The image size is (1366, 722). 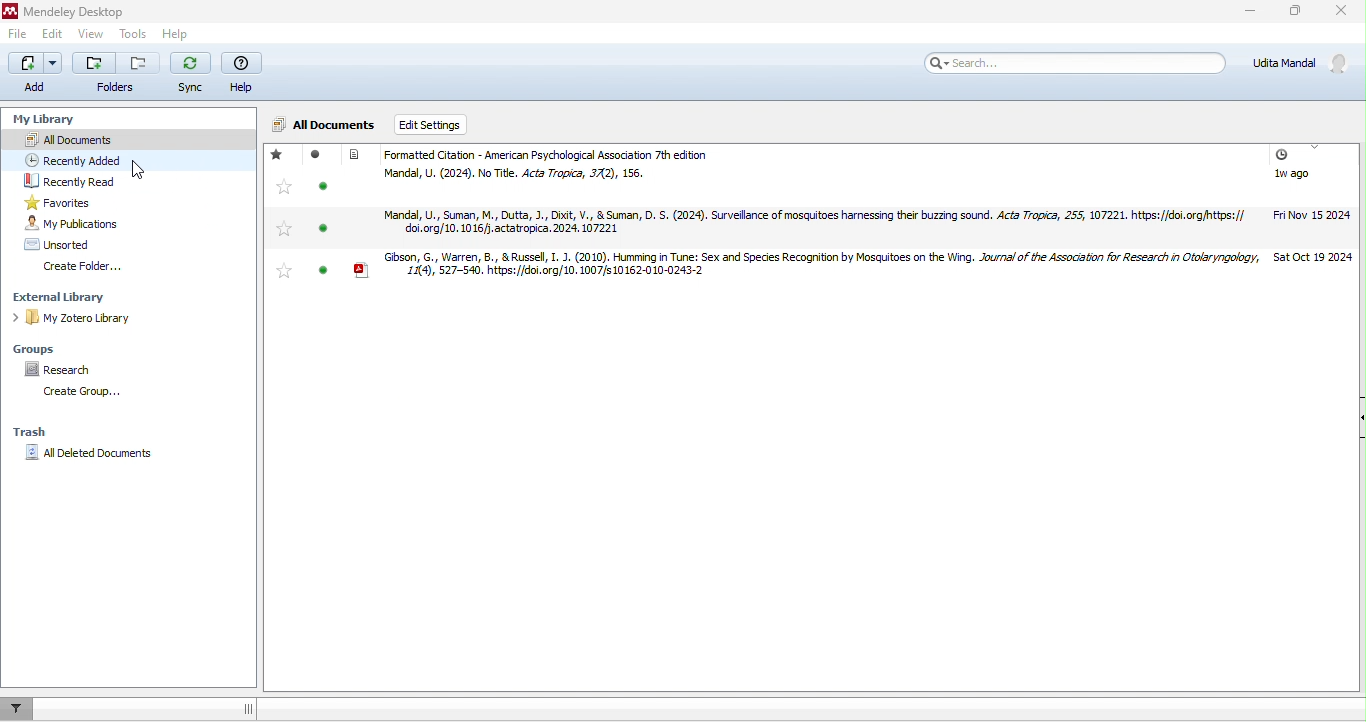 What do you see at coordinates (56, 244) in the screenshot?
I see `unsorted` at bounding box center [56, 244].